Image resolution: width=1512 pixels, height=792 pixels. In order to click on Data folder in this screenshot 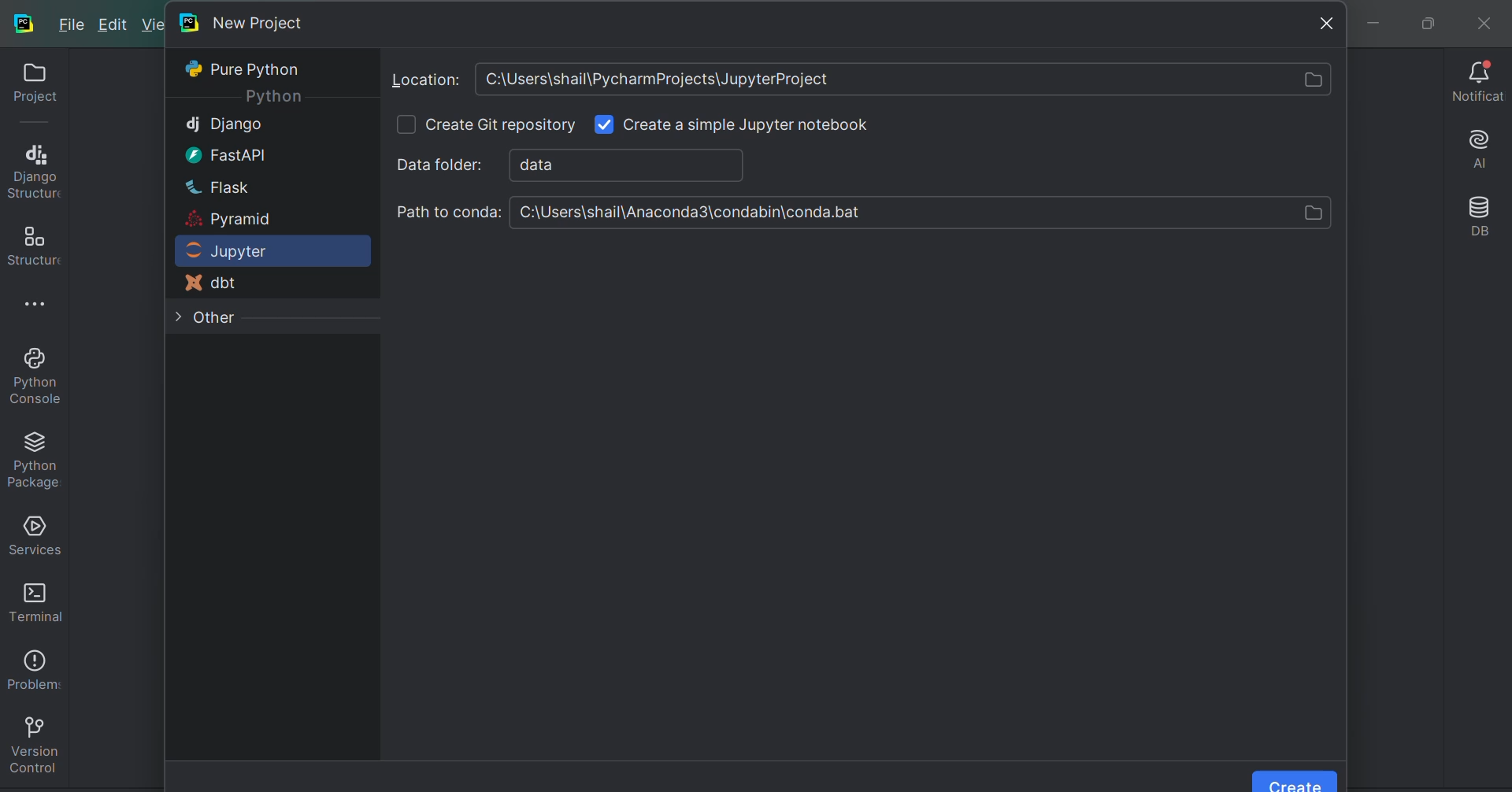, I will do `click(570, 164)`.